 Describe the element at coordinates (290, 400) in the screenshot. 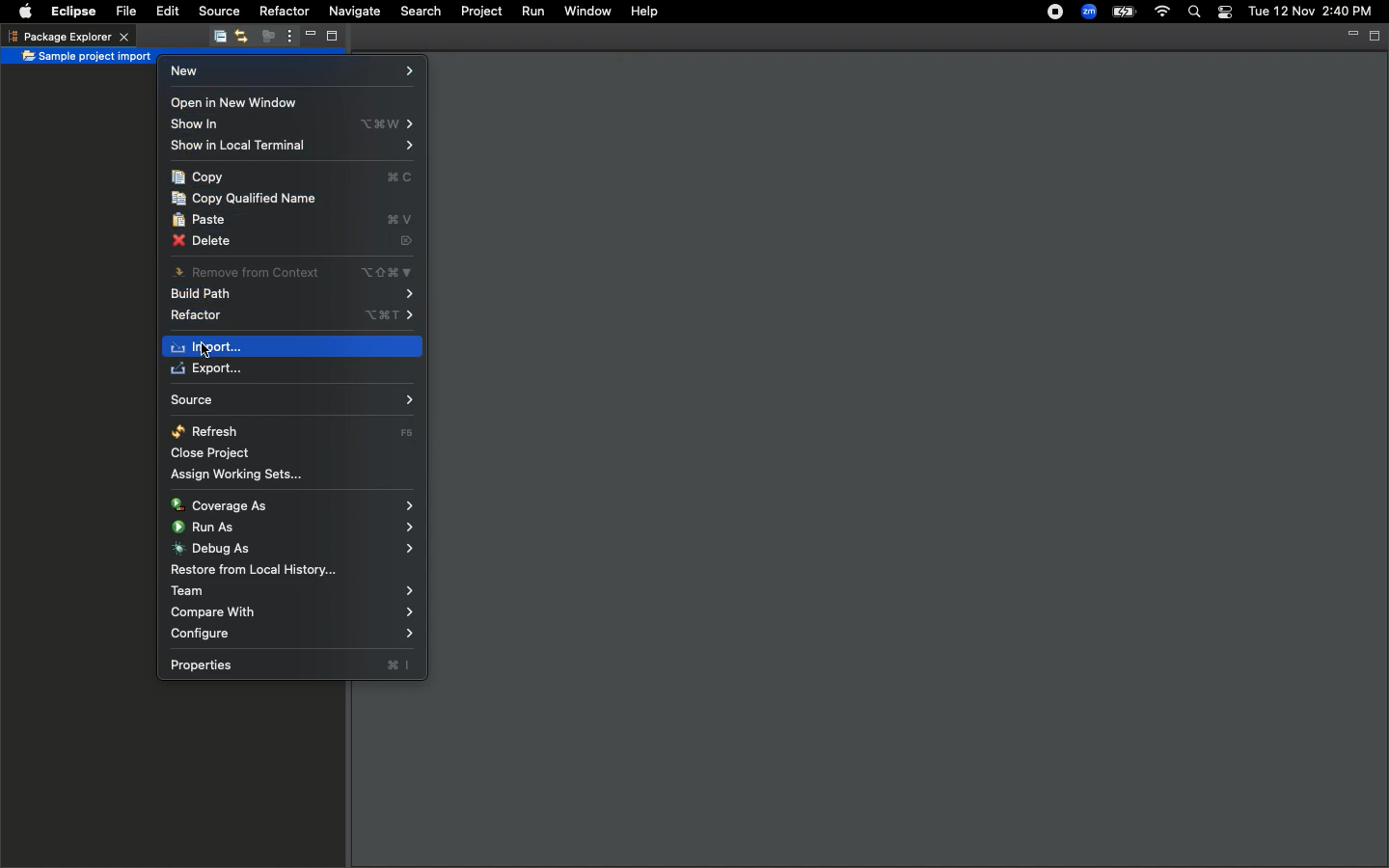

I see `Source` at that location.